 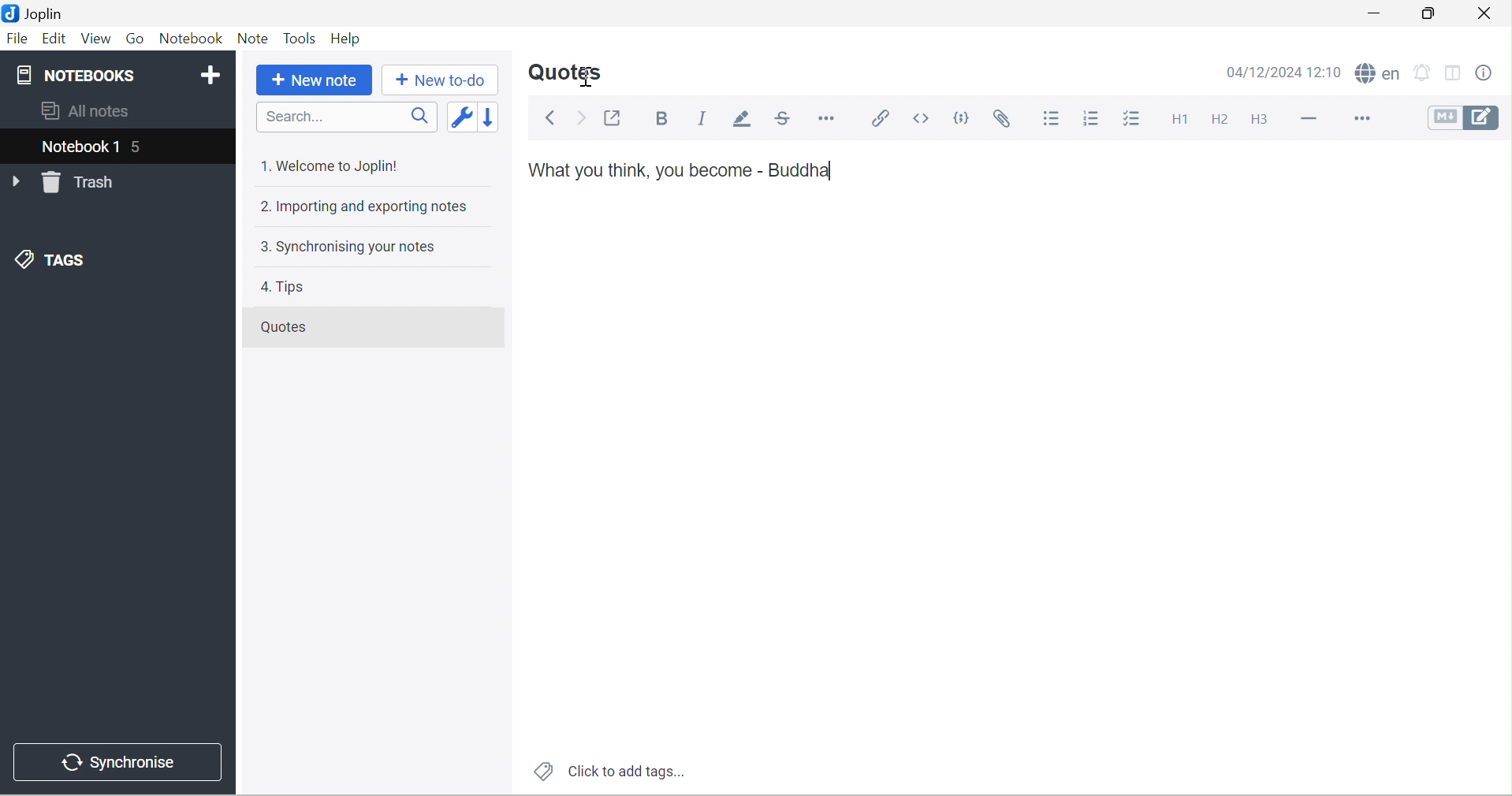 What do you see at coordinates (782, 119) in the screenshot?
I see `Strikethrough` at bounding box center [782, 119].